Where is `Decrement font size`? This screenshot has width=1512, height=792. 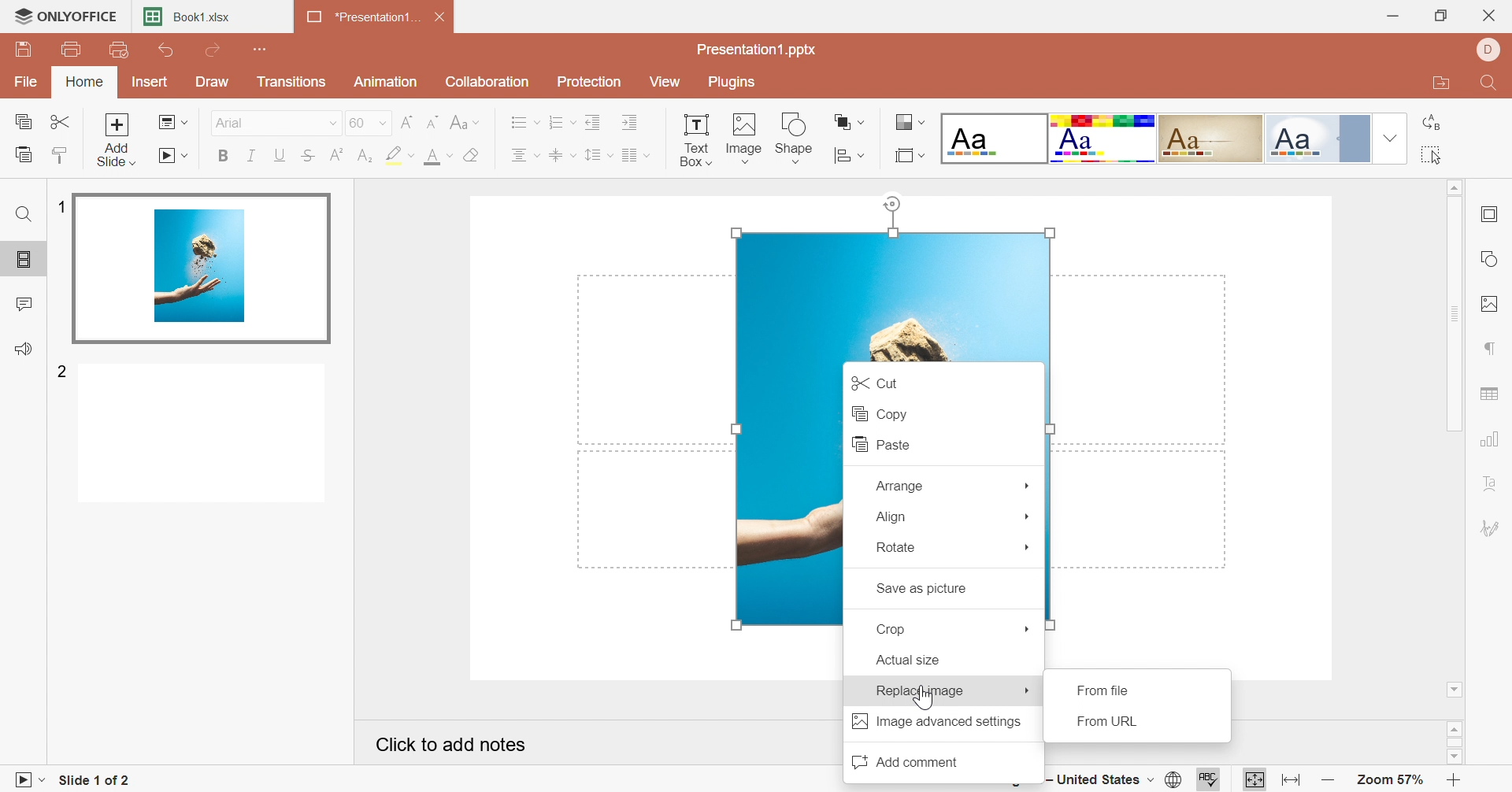
Decrement font size is located at coordinates (433, 120).